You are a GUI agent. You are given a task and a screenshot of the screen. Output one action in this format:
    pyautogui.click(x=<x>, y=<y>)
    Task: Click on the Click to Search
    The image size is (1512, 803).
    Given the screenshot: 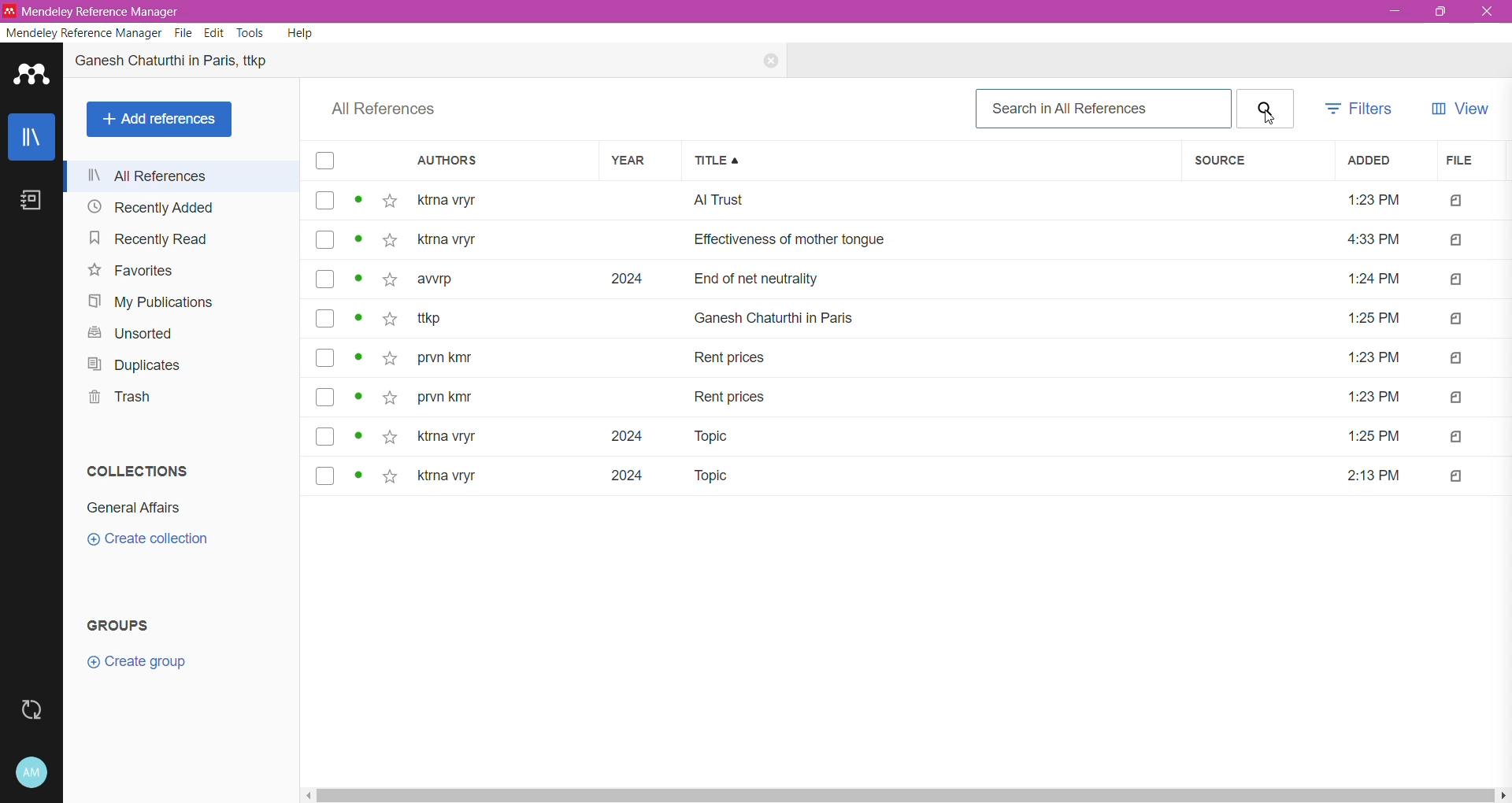 What is the action you would take?
    pyautogui.click(x=1265, y=109)
    